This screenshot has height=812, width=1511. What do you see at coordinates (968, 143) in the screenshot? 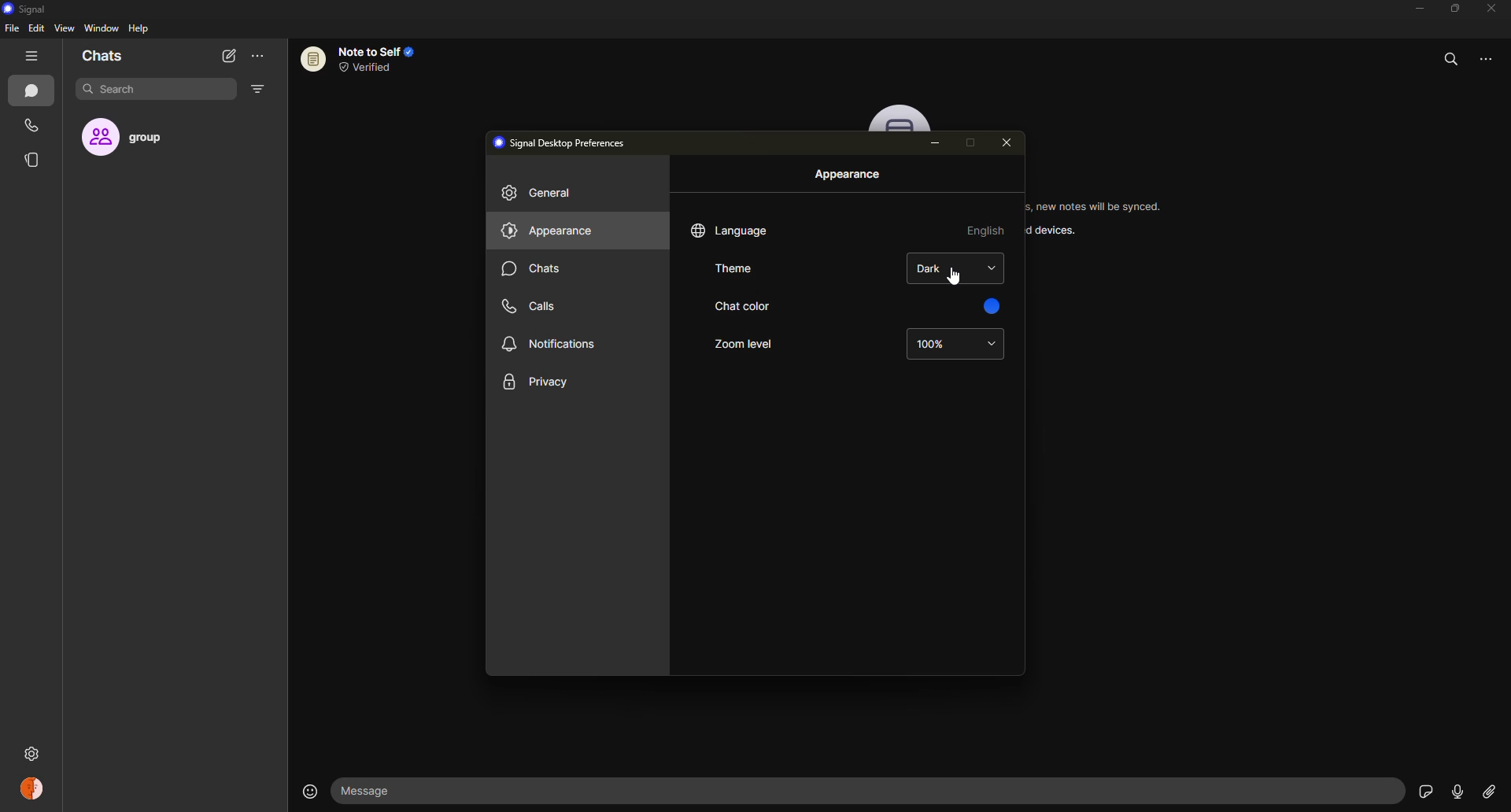
I see `maximize` at bounding box center [968, 143].